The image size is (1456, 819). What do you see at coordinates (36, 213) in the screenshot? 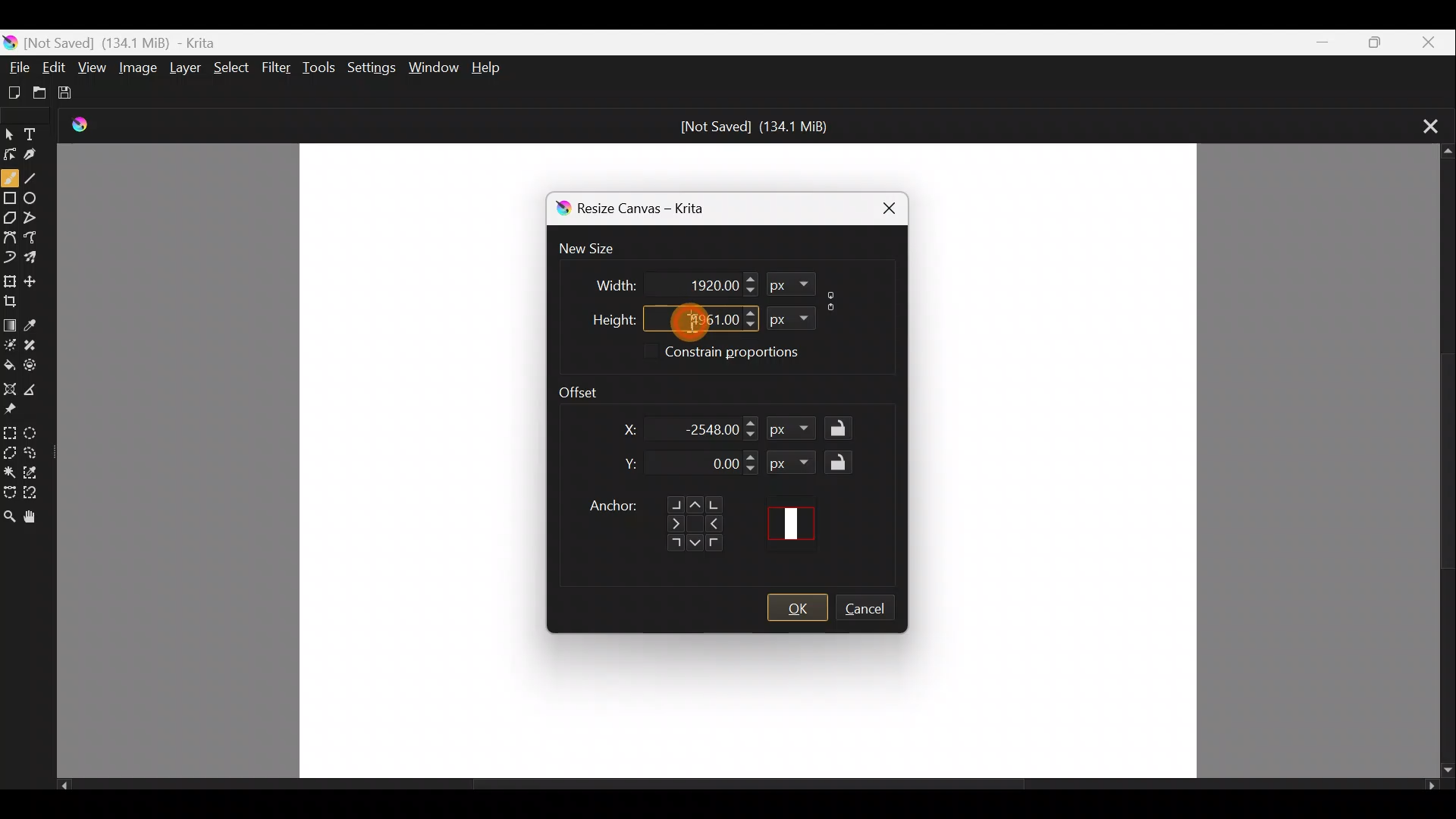
I see `Polyline tool` at bounding box center [36, 213].